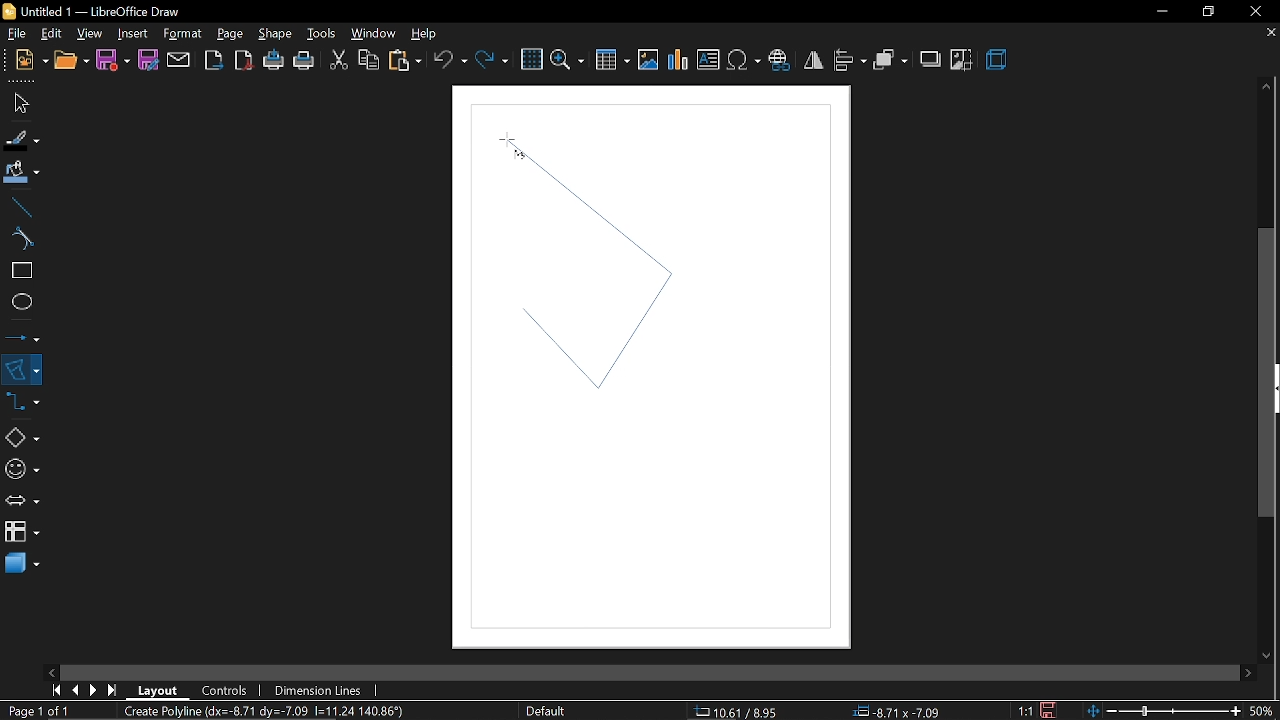 The height and width of the screenshot is (720, 1280). Describe the element at coordinates (709, 61) in the screenshot. I see `insert image` at that location.